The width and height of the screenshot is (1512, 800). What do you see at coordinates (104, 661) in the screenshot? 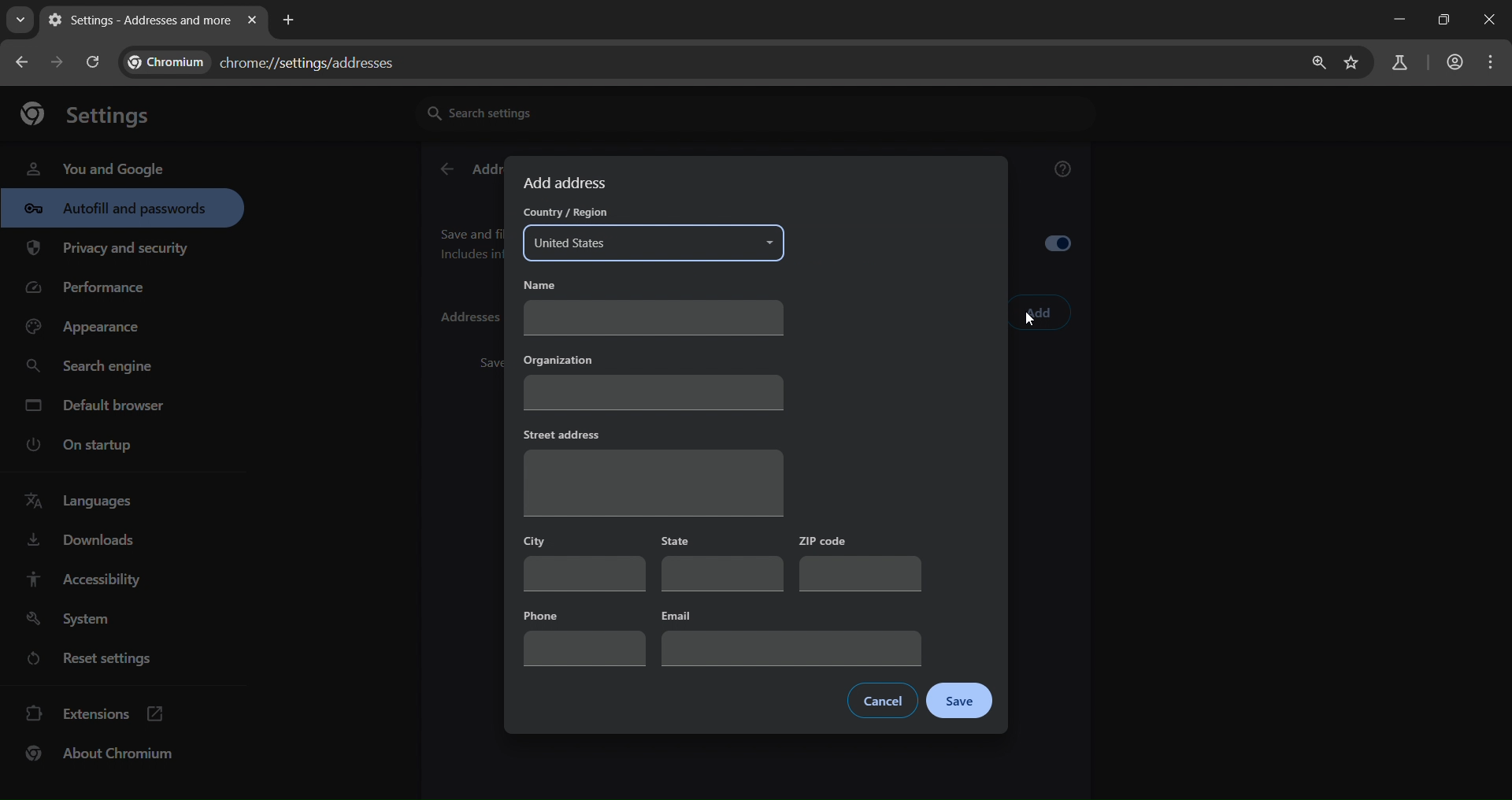
I see `reset settings` at bounding box center [104, 661].